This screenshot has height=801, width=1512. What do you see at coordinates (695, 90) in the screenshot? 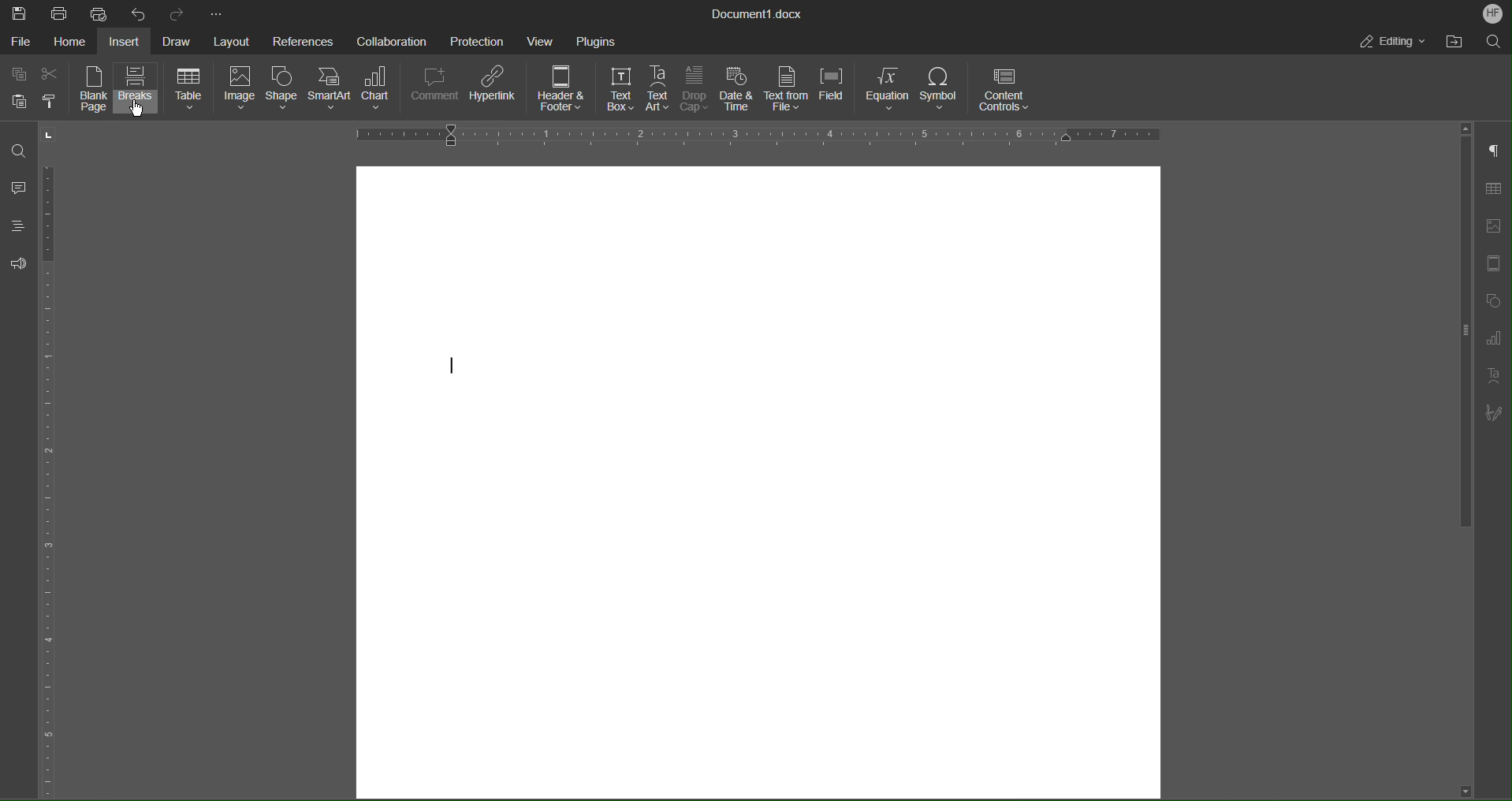
I see `Drop Cap` at bounding box center [695, 90].